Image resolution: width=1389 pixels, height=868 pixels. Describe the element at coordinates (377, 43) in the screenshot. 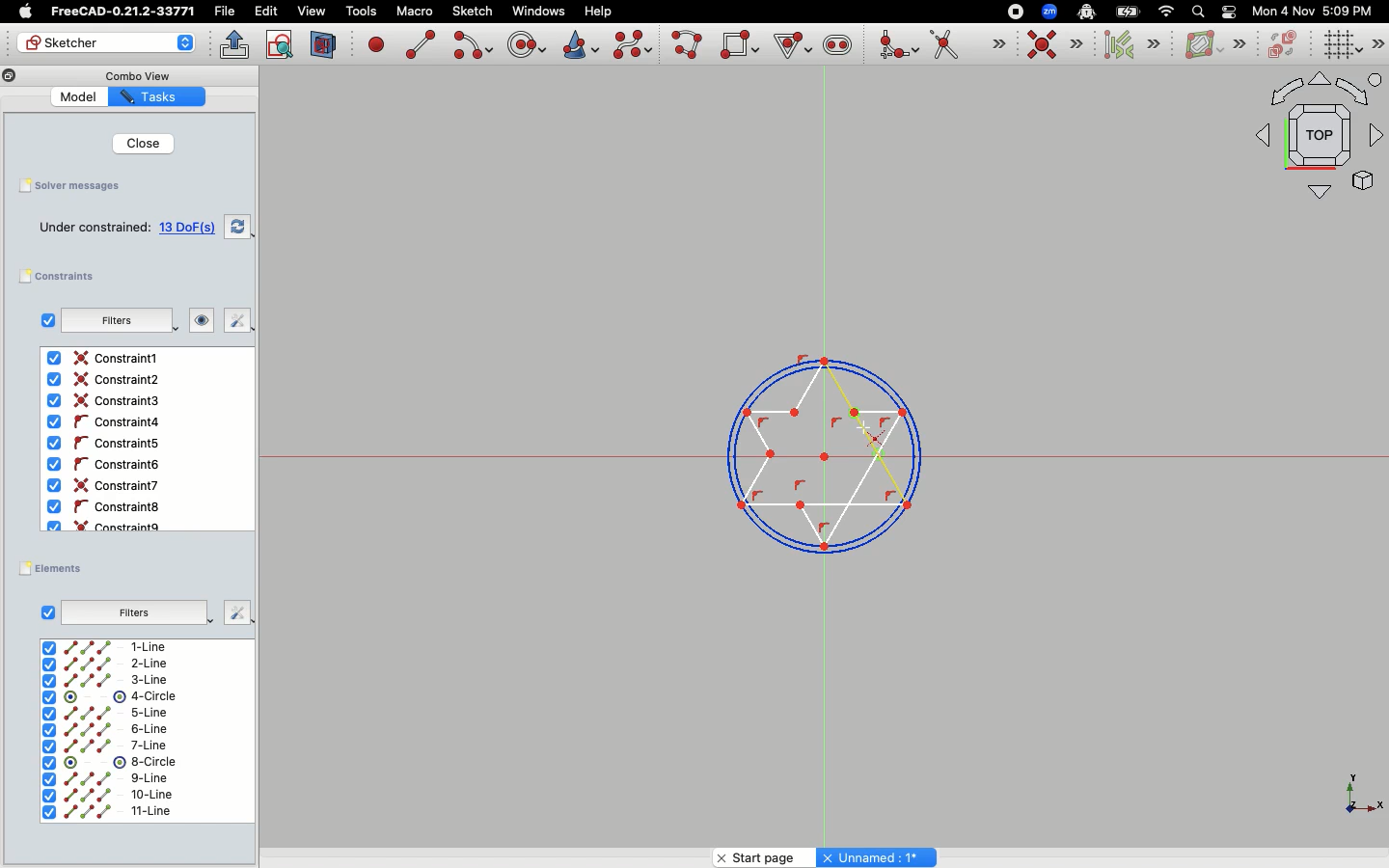

I see `Create point` at that location.